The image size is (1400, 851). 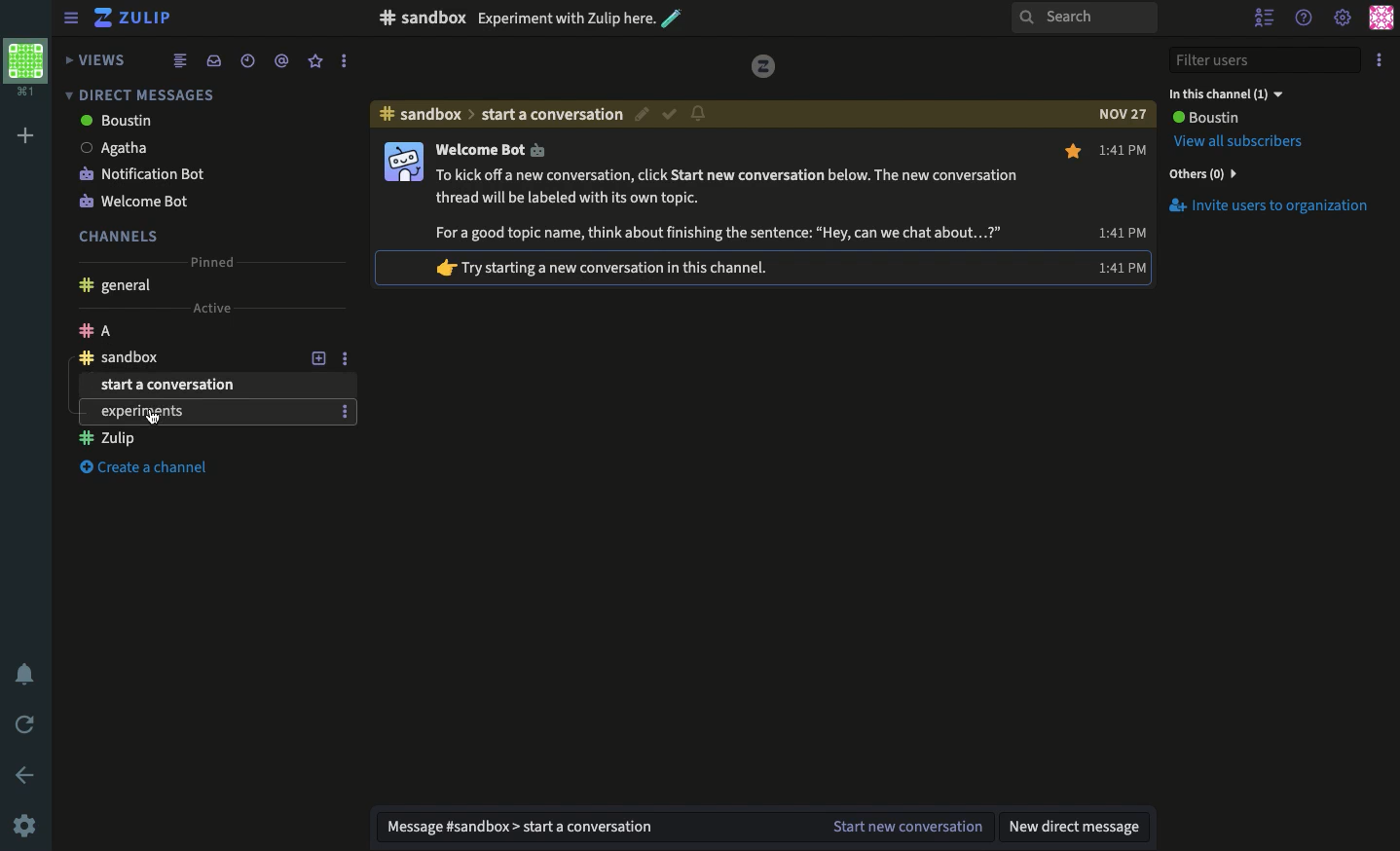 What do you see at coordinates (26, 722) in the screenshot?
I see `Refresh` at bounding box center [26, 722].